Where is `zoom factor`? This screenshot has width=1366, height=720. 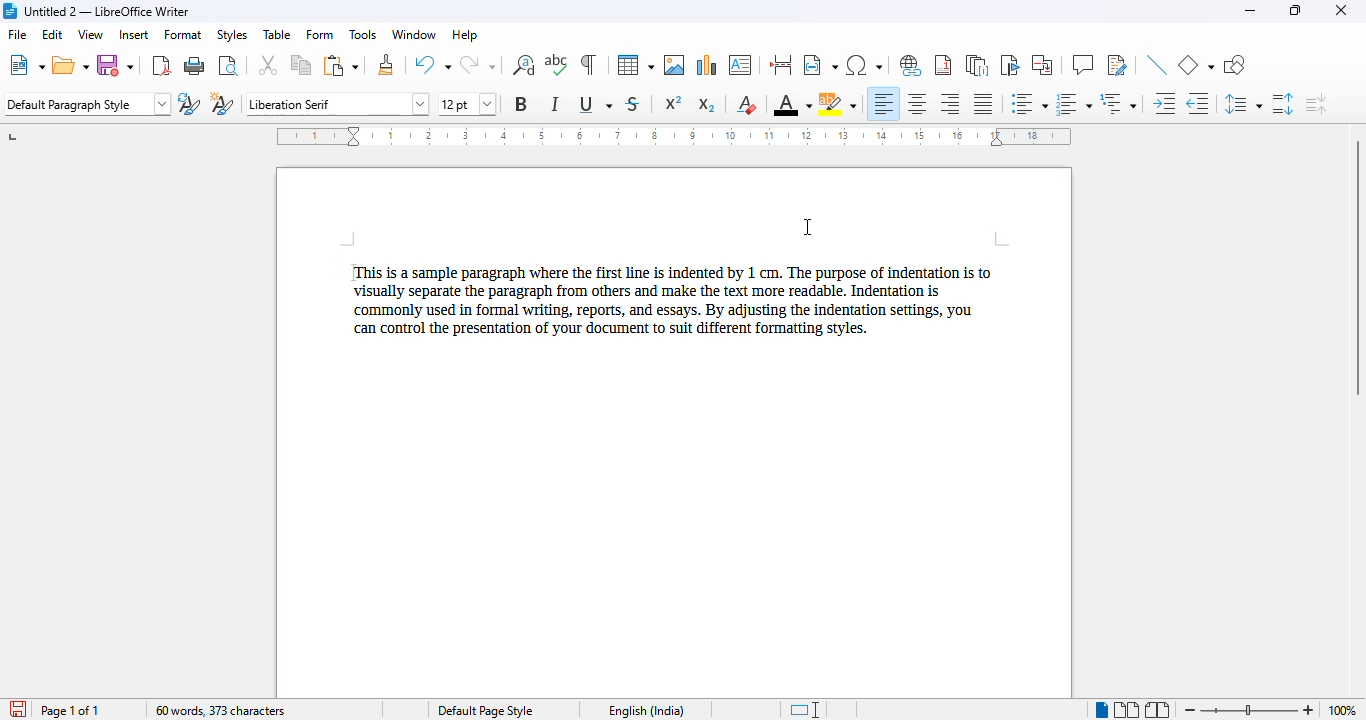
zoom factor is located at coordinates (1342, 710).